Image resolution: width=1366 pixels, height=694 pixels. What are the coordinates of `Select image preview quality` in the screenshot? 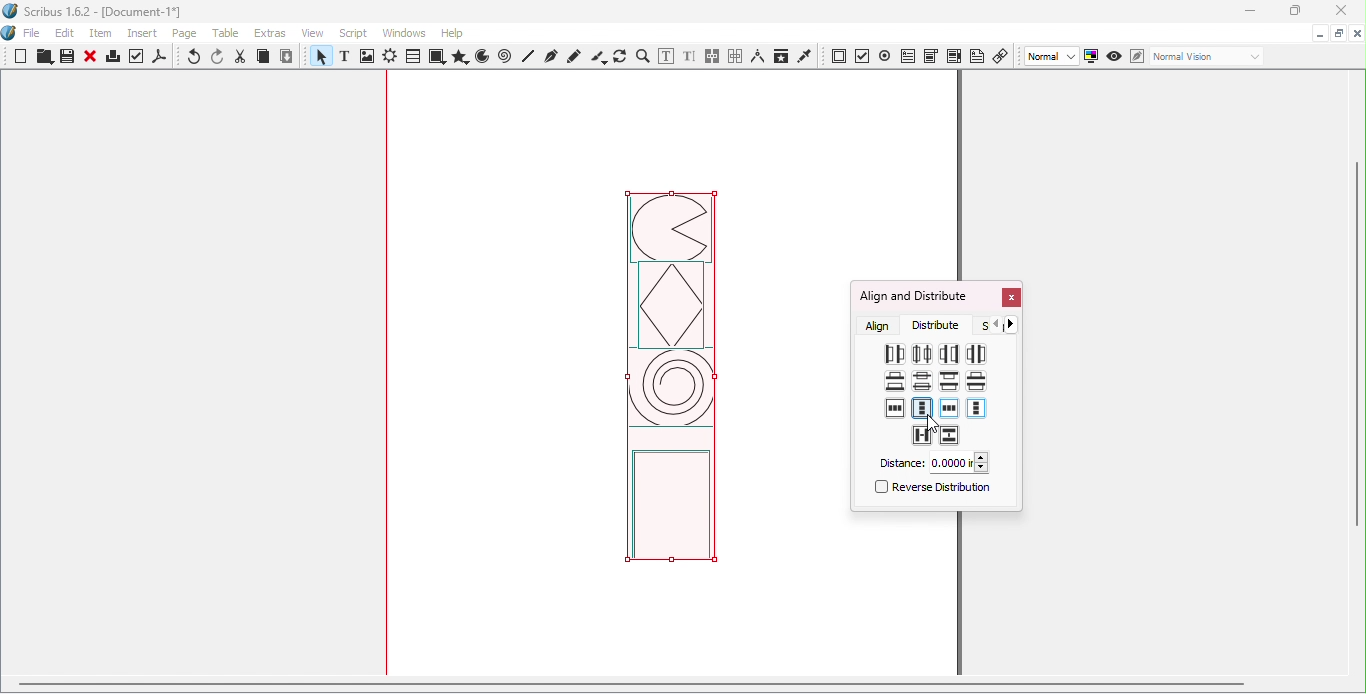 It's located at (1053, 57).